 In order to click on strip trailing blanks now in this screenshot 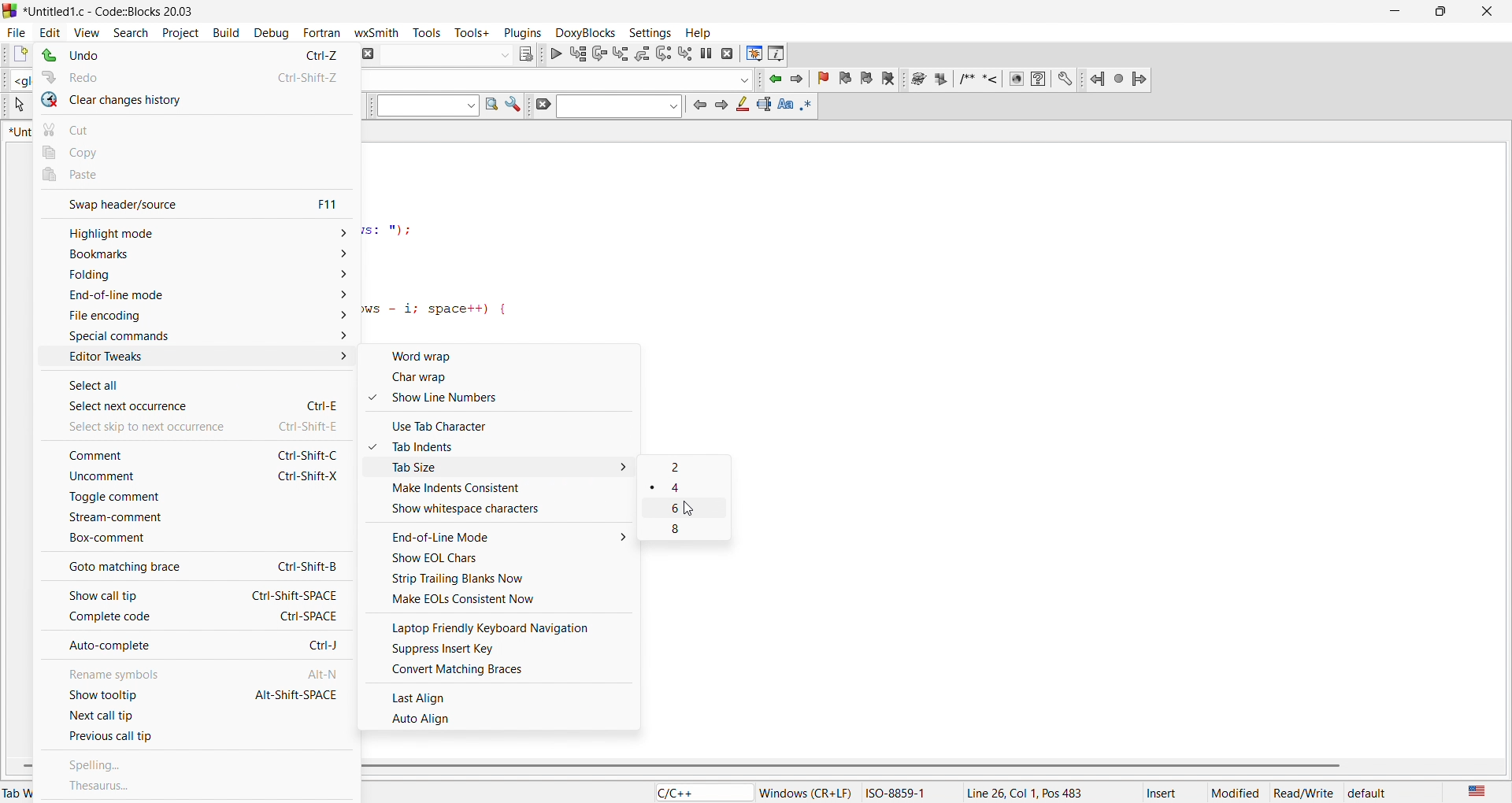, I will do `click(503, 579)`.